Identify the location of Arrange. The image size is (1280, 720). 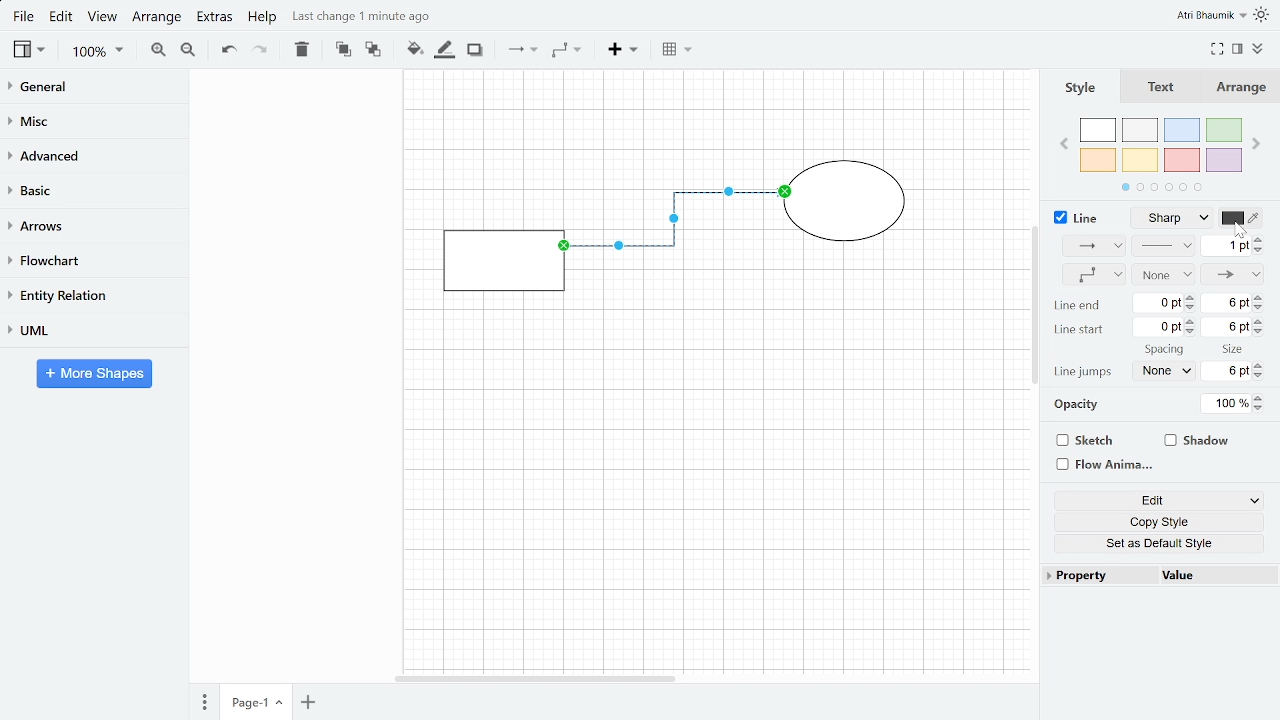
(158, 19).